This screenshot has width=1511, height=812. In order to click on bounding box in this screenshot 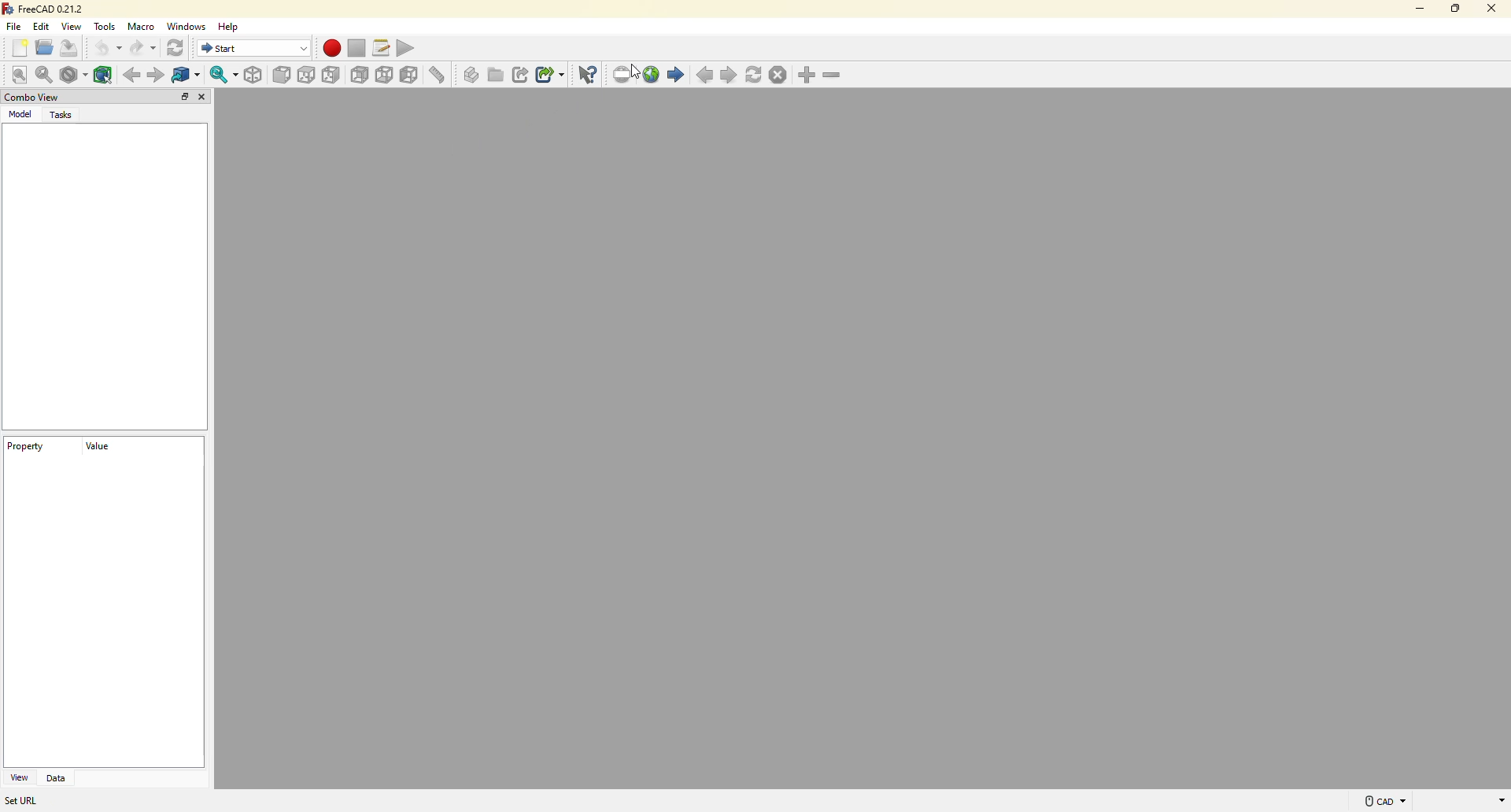, I will do `click(105, 73)`.